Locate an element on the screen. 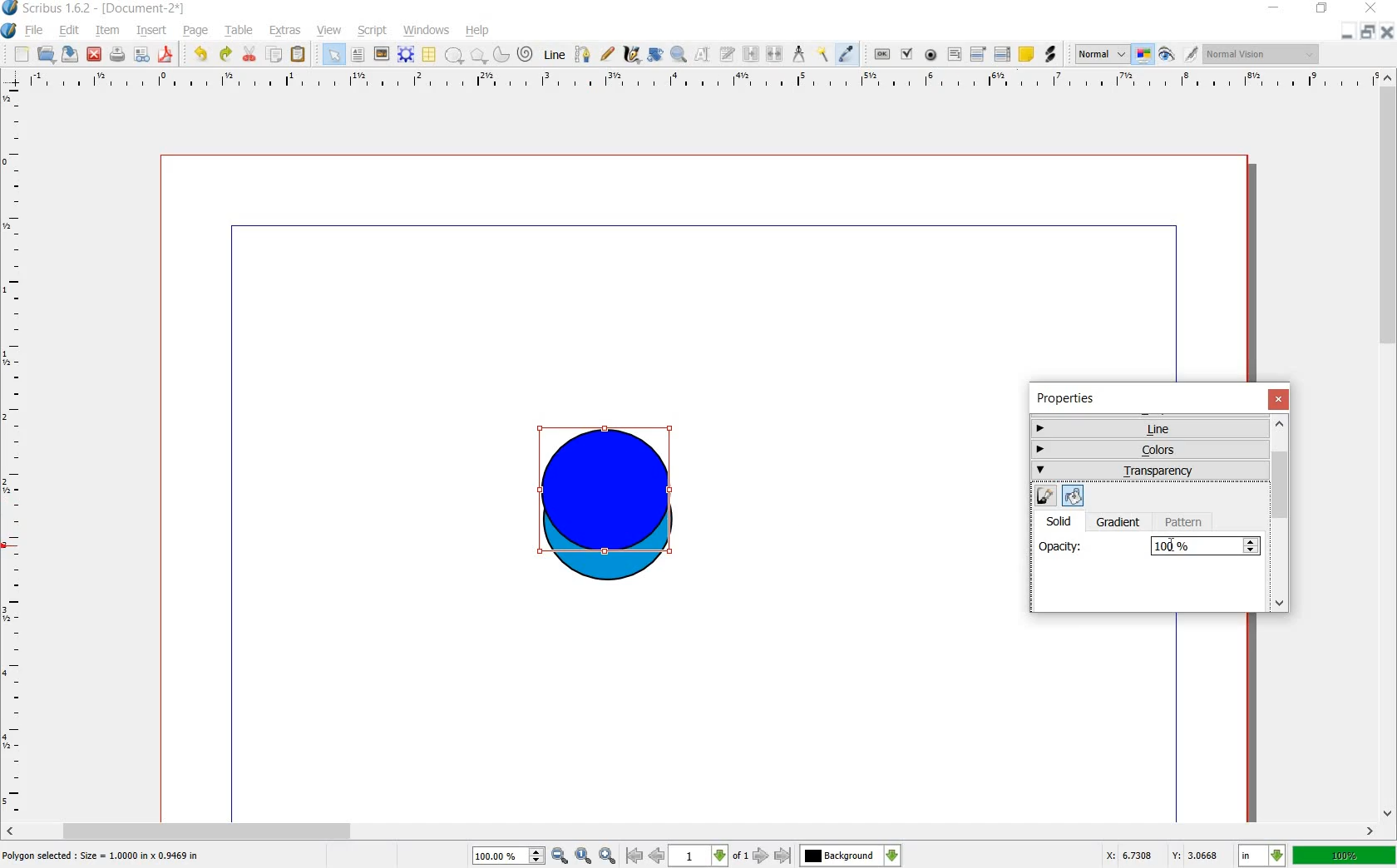 The height and width of the screenshot is (868, 1397). scrollbar is located at coordinates (1281, 515).